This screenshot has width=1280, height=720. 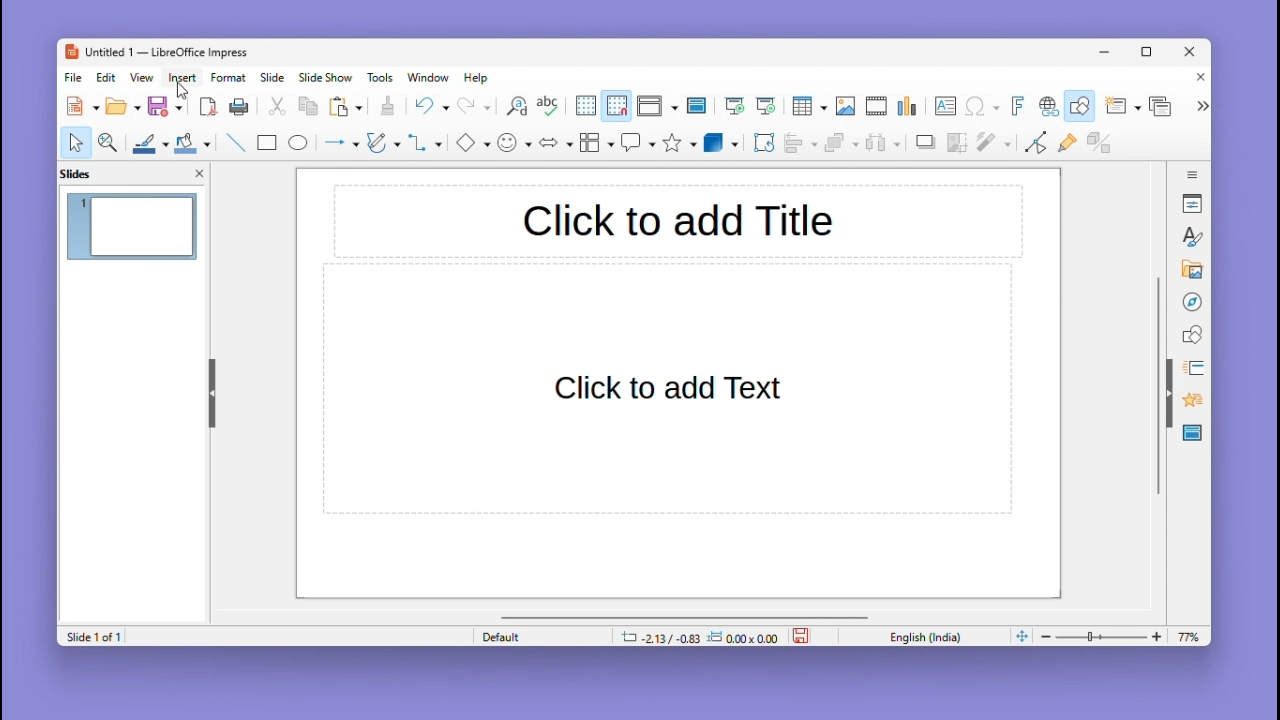 I want to click on Star, so click(x=680, y=143).